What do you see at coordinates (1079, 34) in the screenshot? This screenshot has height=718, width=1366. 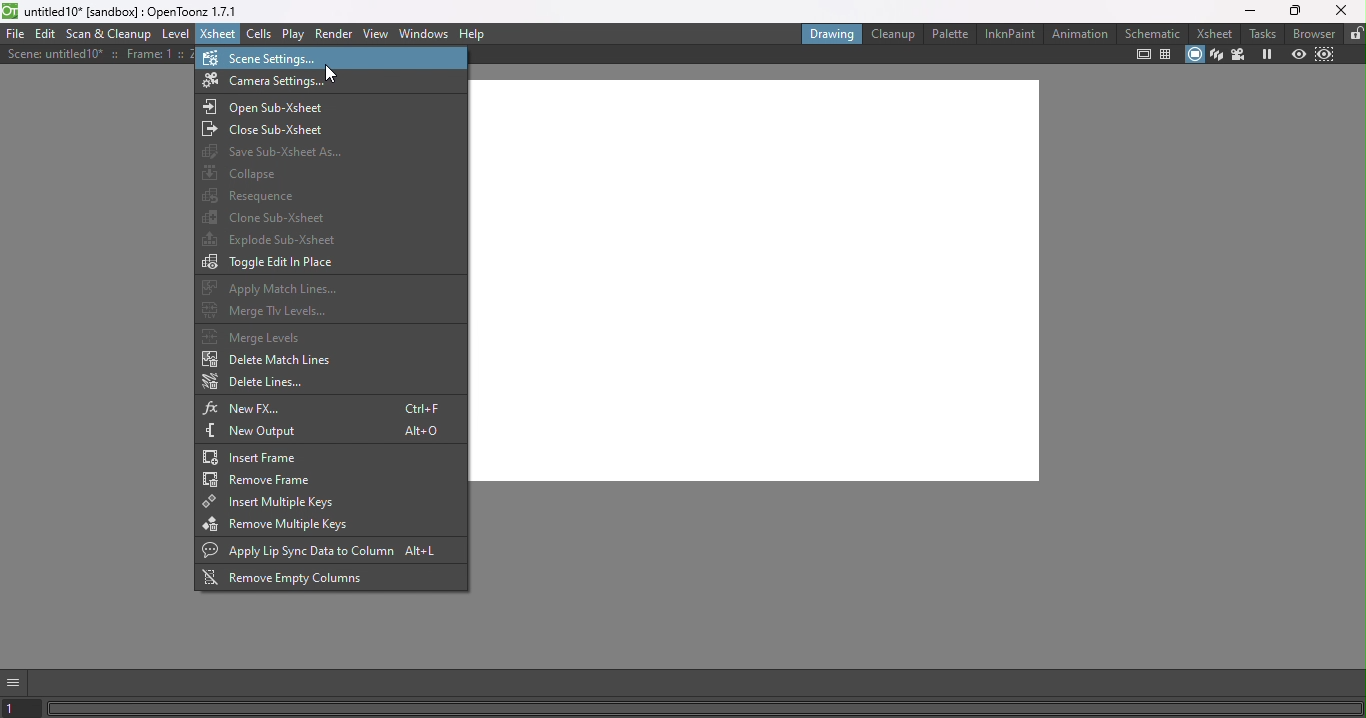 I see `Animation` at bounding box center [1079, 34].